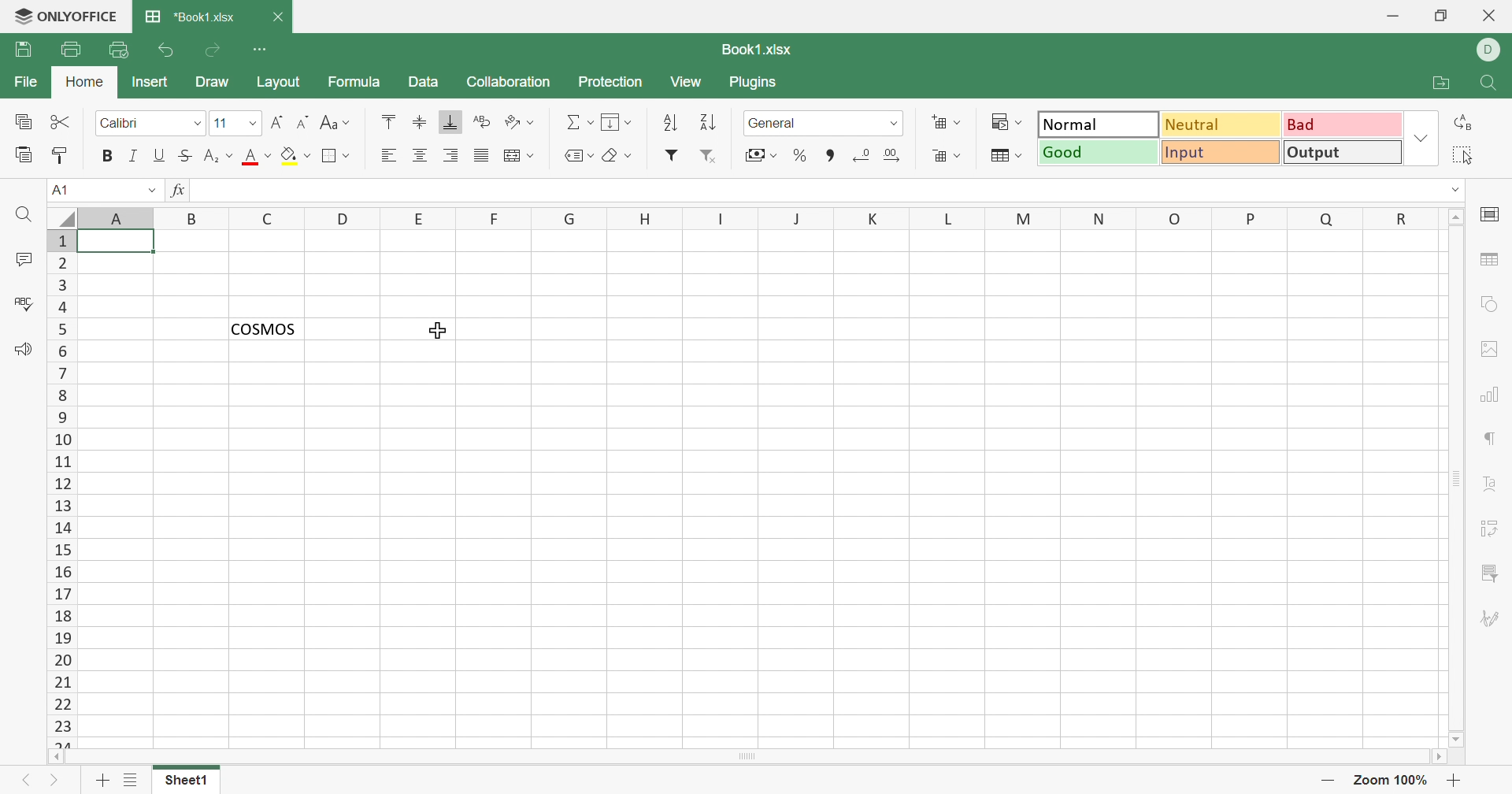 The image size is (1512, 794). What do you see at coordinates (1489, 216) in the screenshot?
I see `Cell settings` at bounding box center [1489, 216].